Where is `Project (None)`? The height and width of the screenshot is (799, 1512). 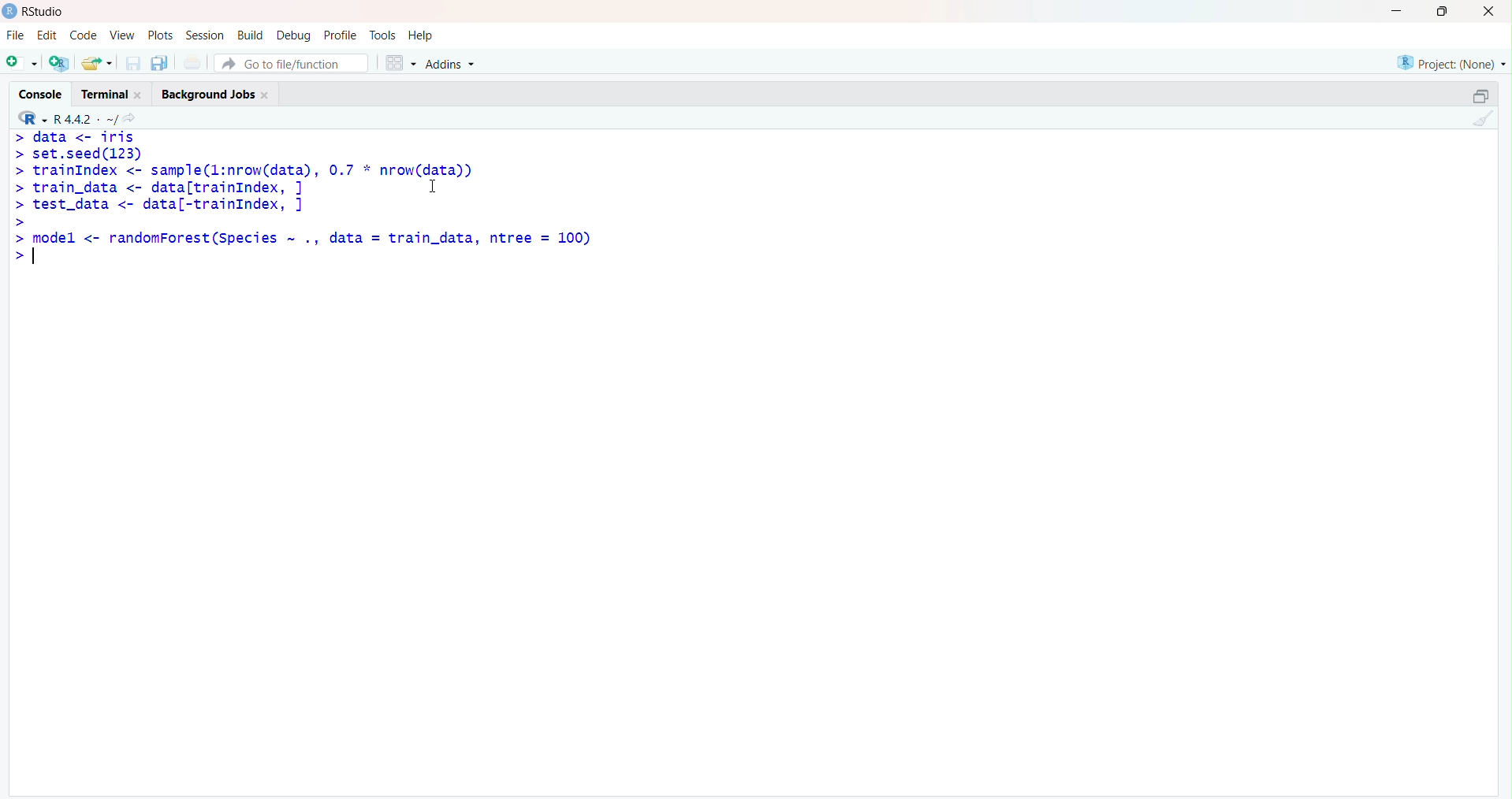
Project (None) is located at coordinates (1450, 62).